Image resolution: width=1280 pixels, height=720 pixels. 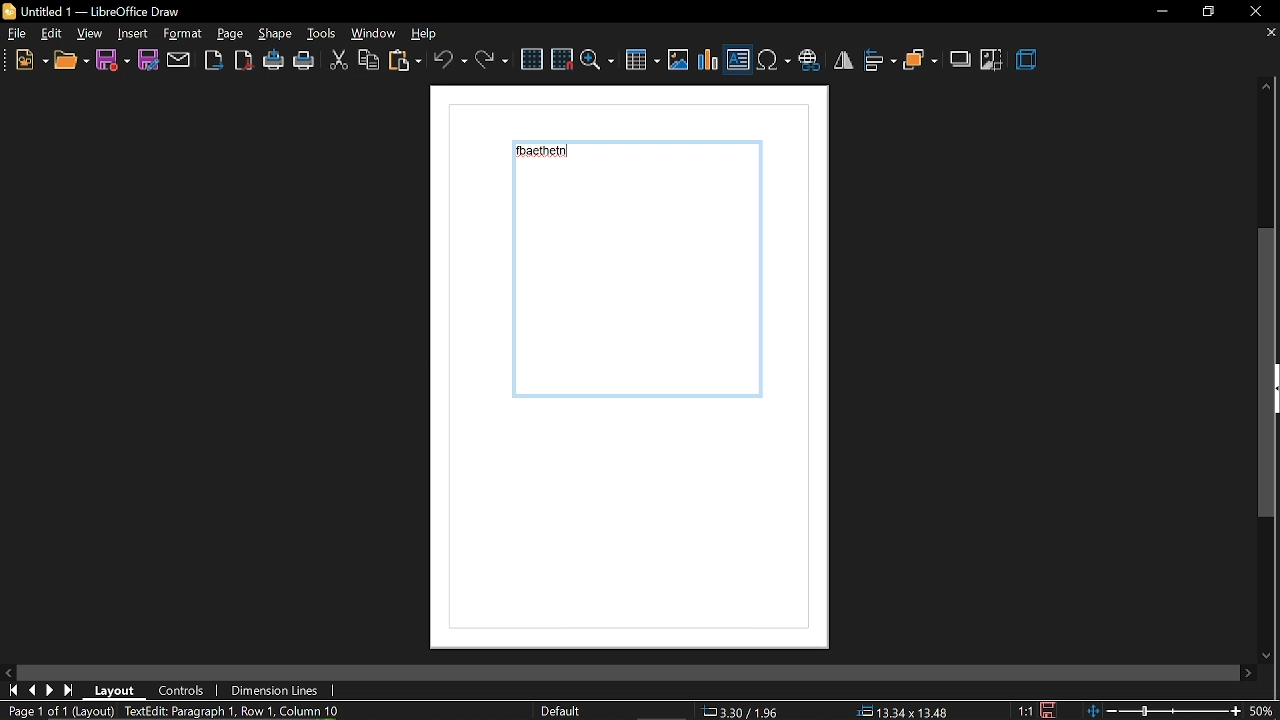 What do you see at coordinates (52, 34) in the screenshot?
I see `edit` at bounding box center [52, 34].